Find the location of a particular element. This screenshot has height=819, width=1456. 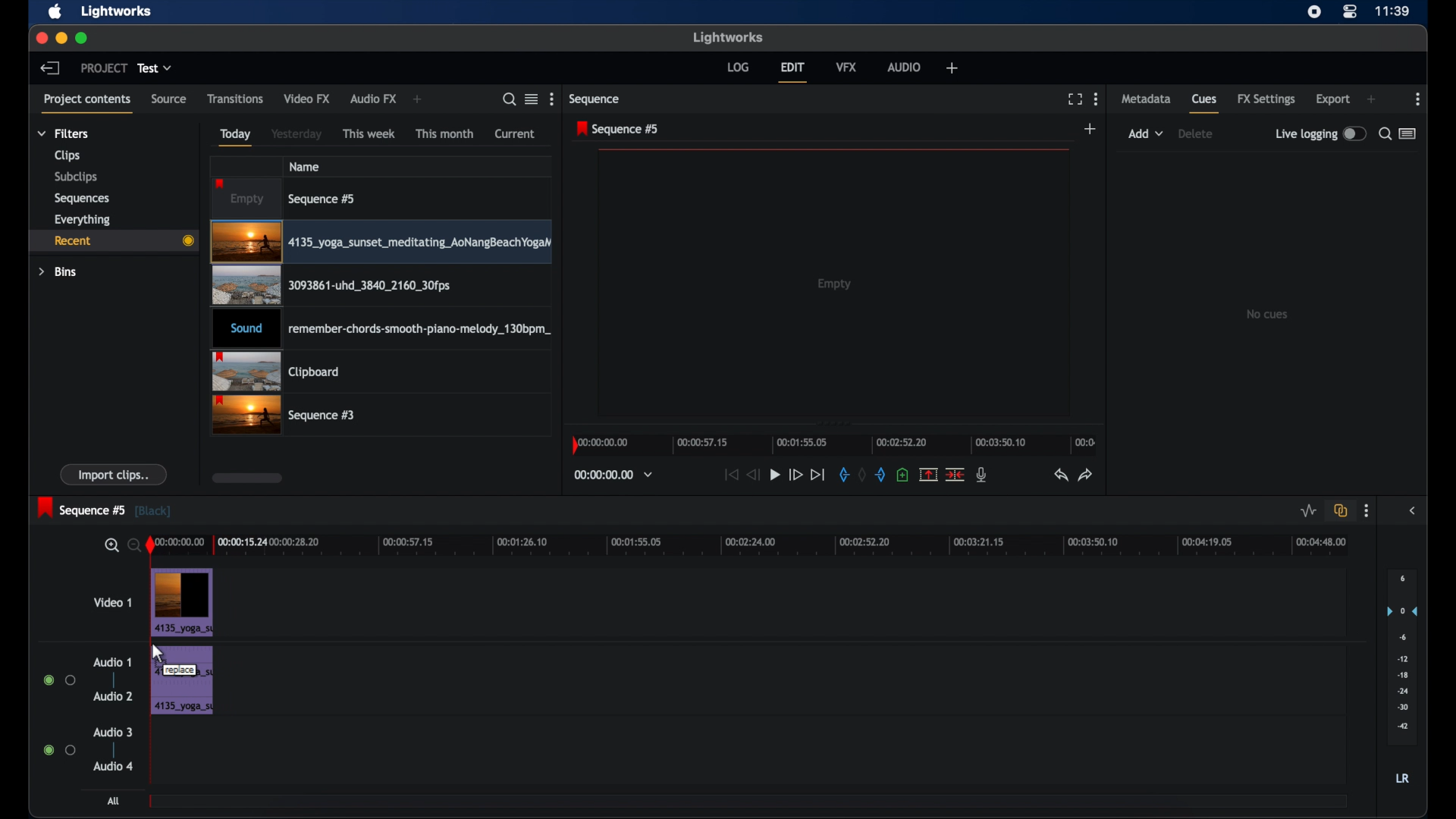

add cue at current position is located at coordinates (902, 474).